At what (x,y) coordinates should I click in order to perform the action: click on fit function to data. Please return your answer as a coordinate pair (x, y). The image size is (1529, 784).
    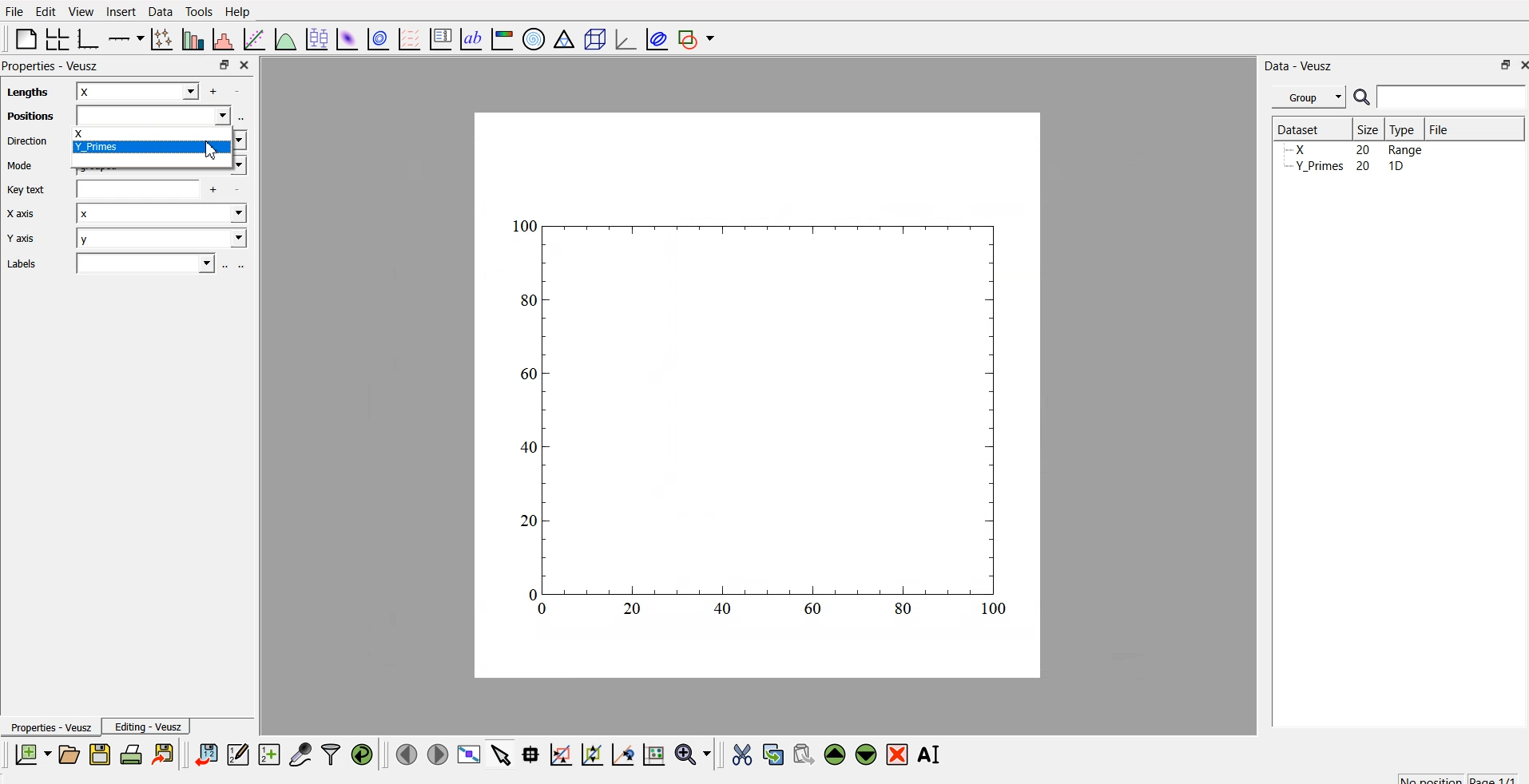
    Looking at the image, I should click on (252, 38).